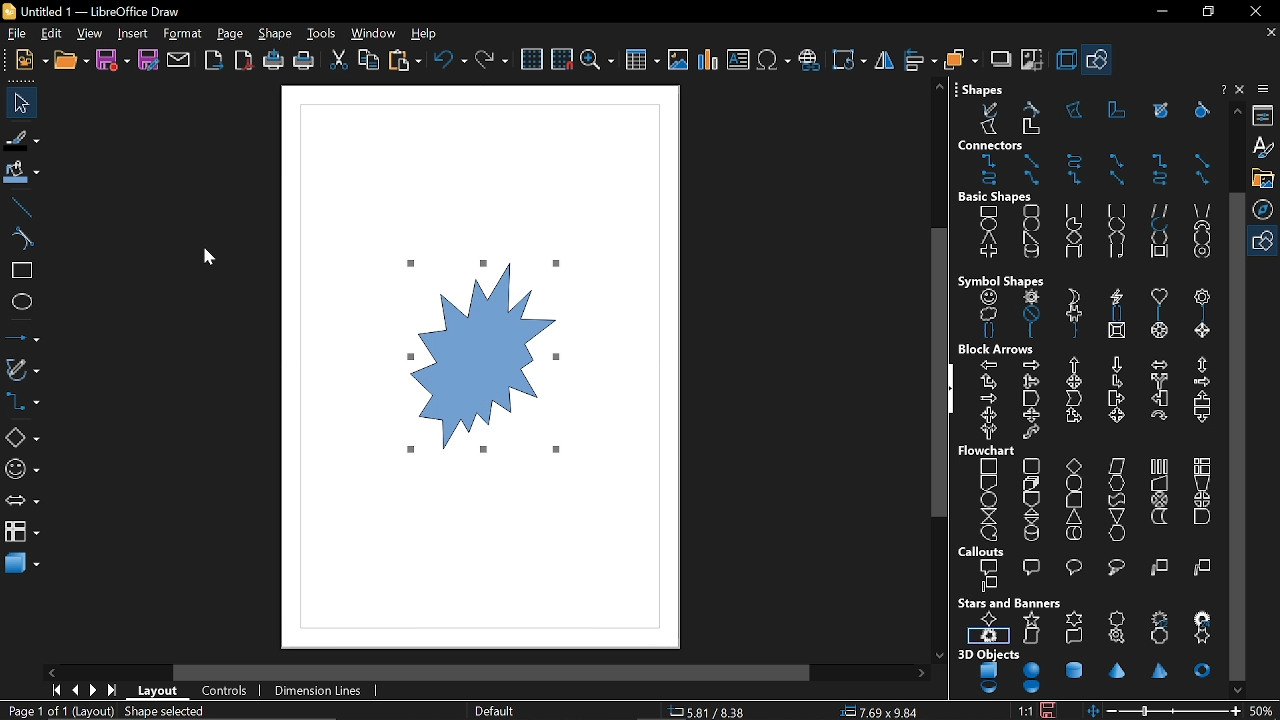 The height and width of the screenshot is (720, 1280). Describe the element at coordinates (17, 35) in the screenshot. I see `File` at that location.